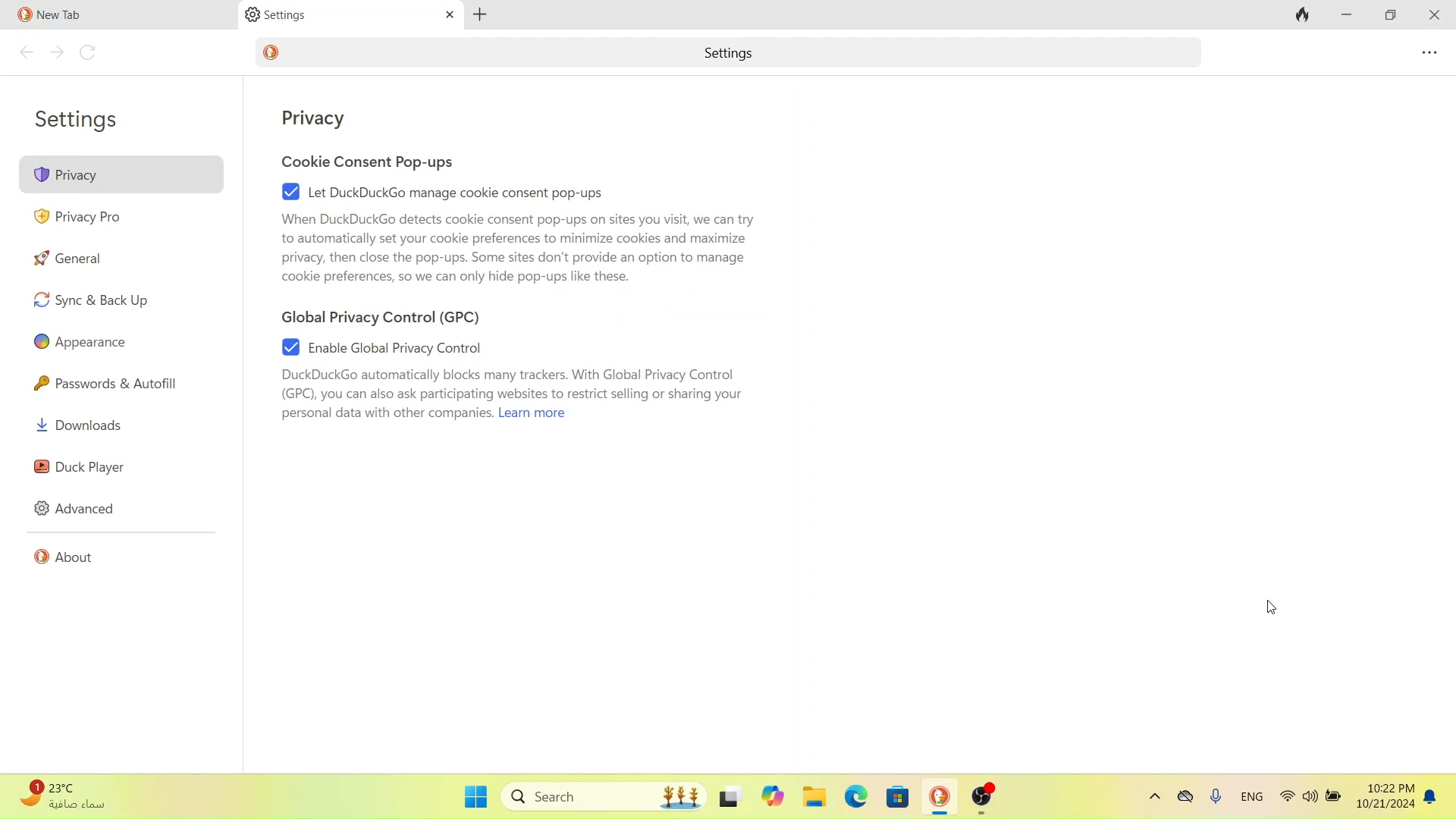  What do you see at coordinates (815, 798) in the screenshot?
I see `file explorer` at bounding box center [815, 798].